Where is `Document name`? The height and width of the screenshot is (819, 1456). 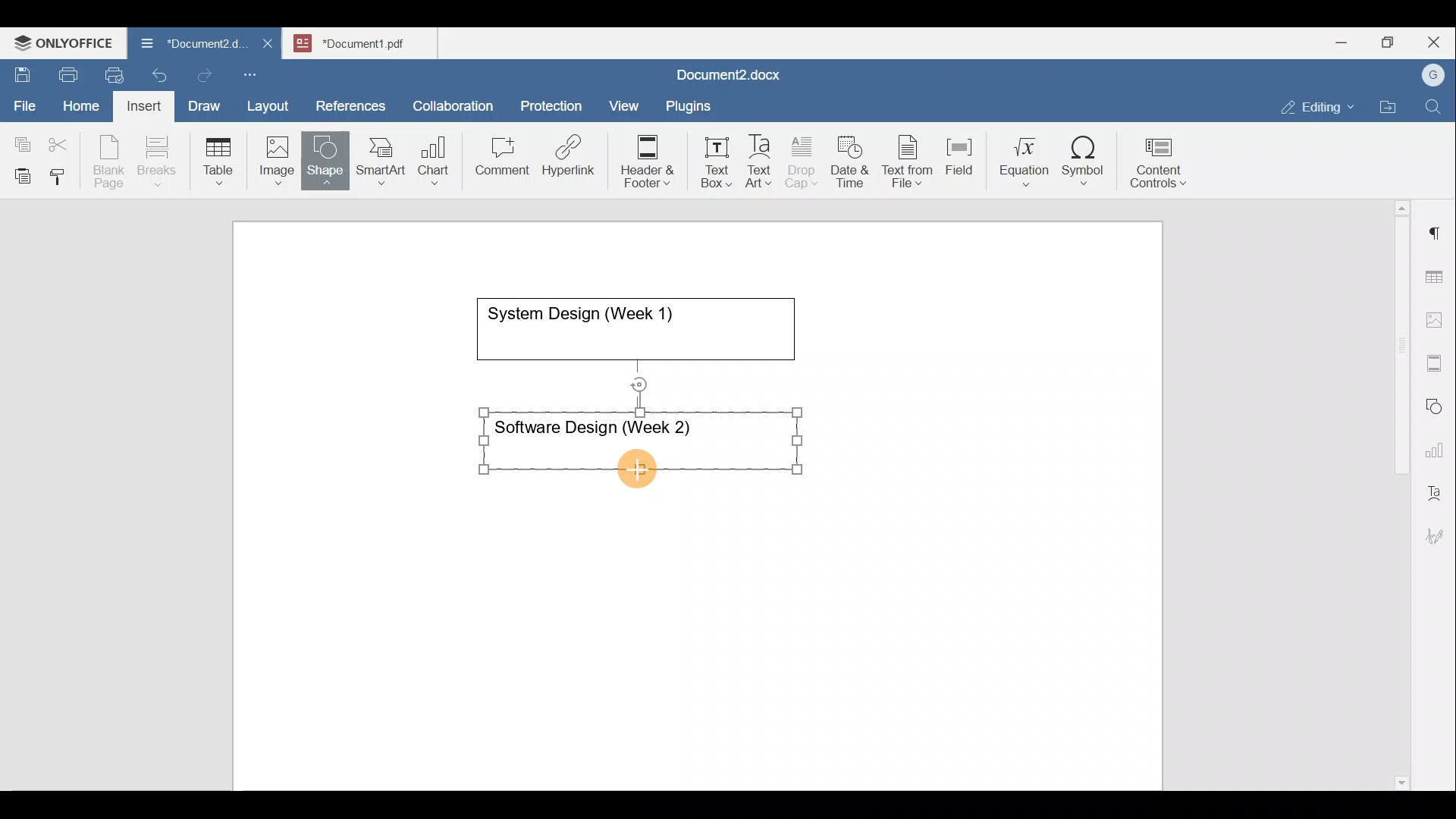
Document name is located at coordinates (185, 45).